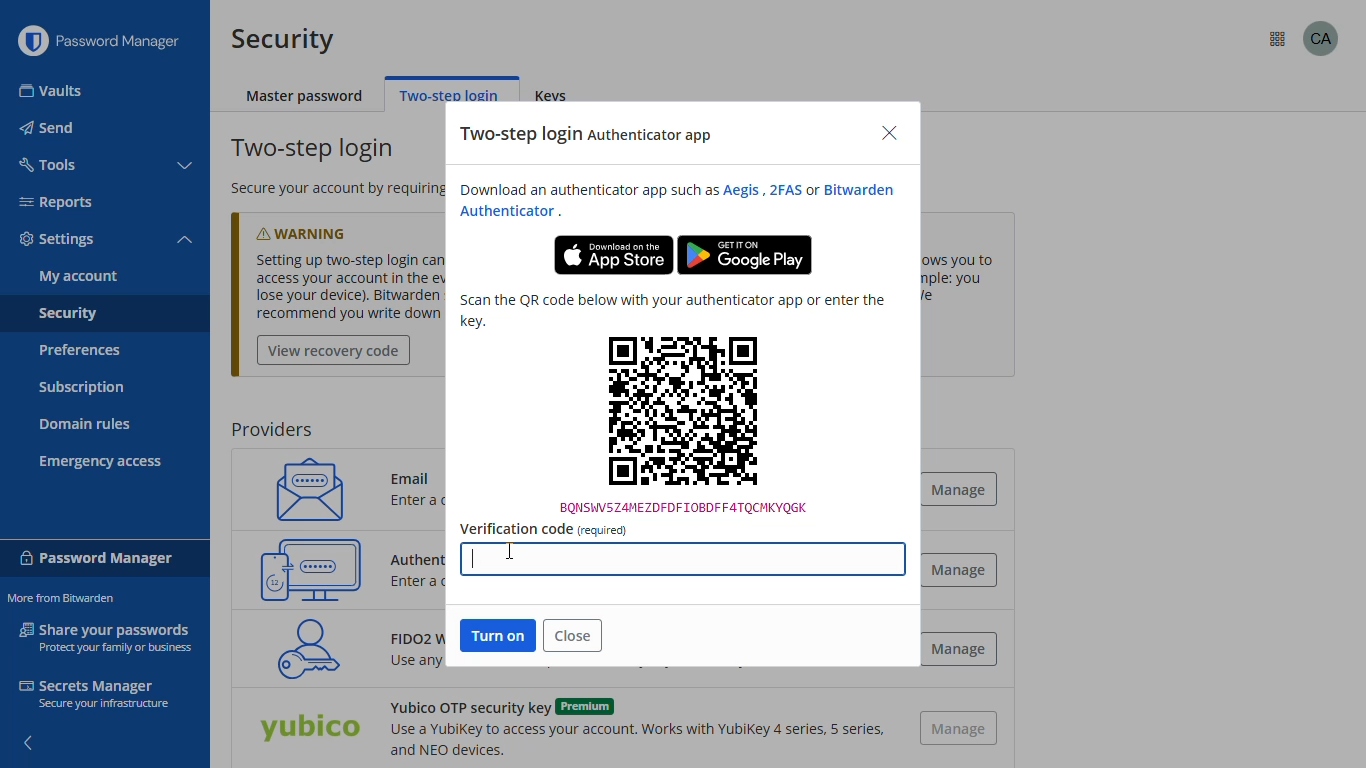 The image size is (1366, 768). What do you see at coordinates (745, 255) in the screenshot?
I see `get it on google play` at bounding box center [745, 255].